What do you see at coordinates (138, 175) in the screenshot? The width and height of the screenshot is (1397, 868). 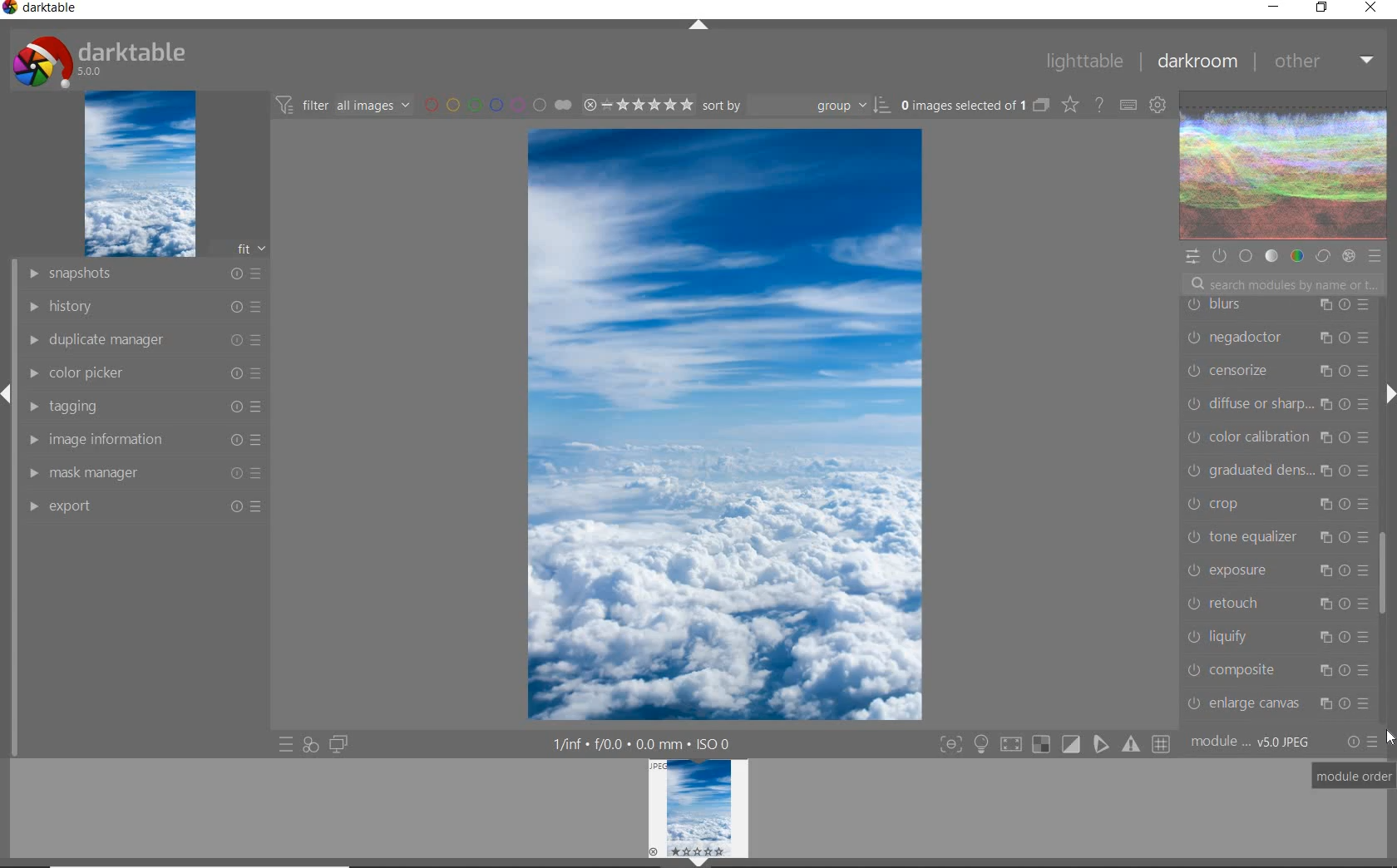 I see `IMAGE` at bounding box center [138, 175].